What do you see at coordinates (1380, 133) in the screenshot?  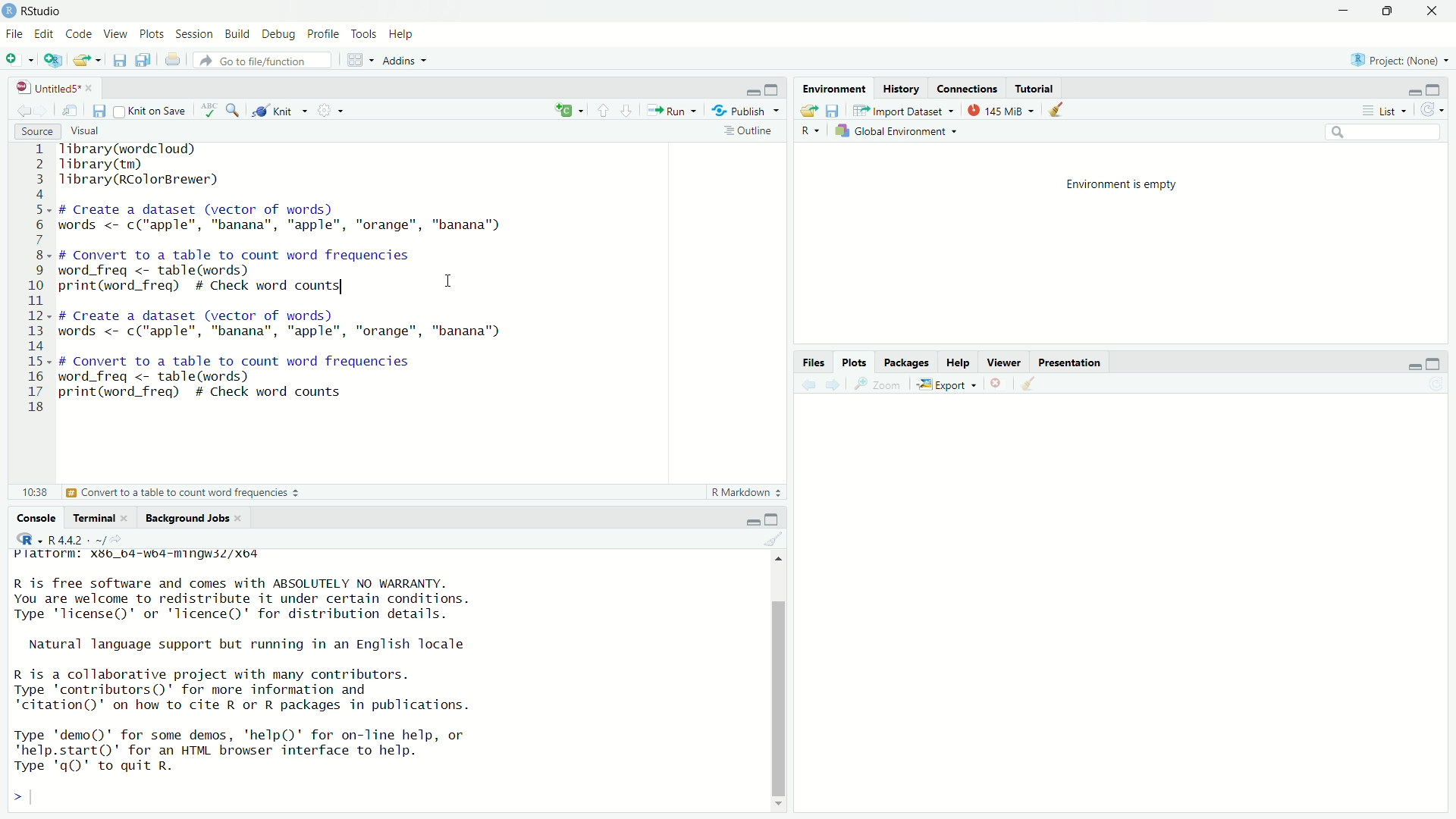 I see `Search` at bounding box center [1380, 133].